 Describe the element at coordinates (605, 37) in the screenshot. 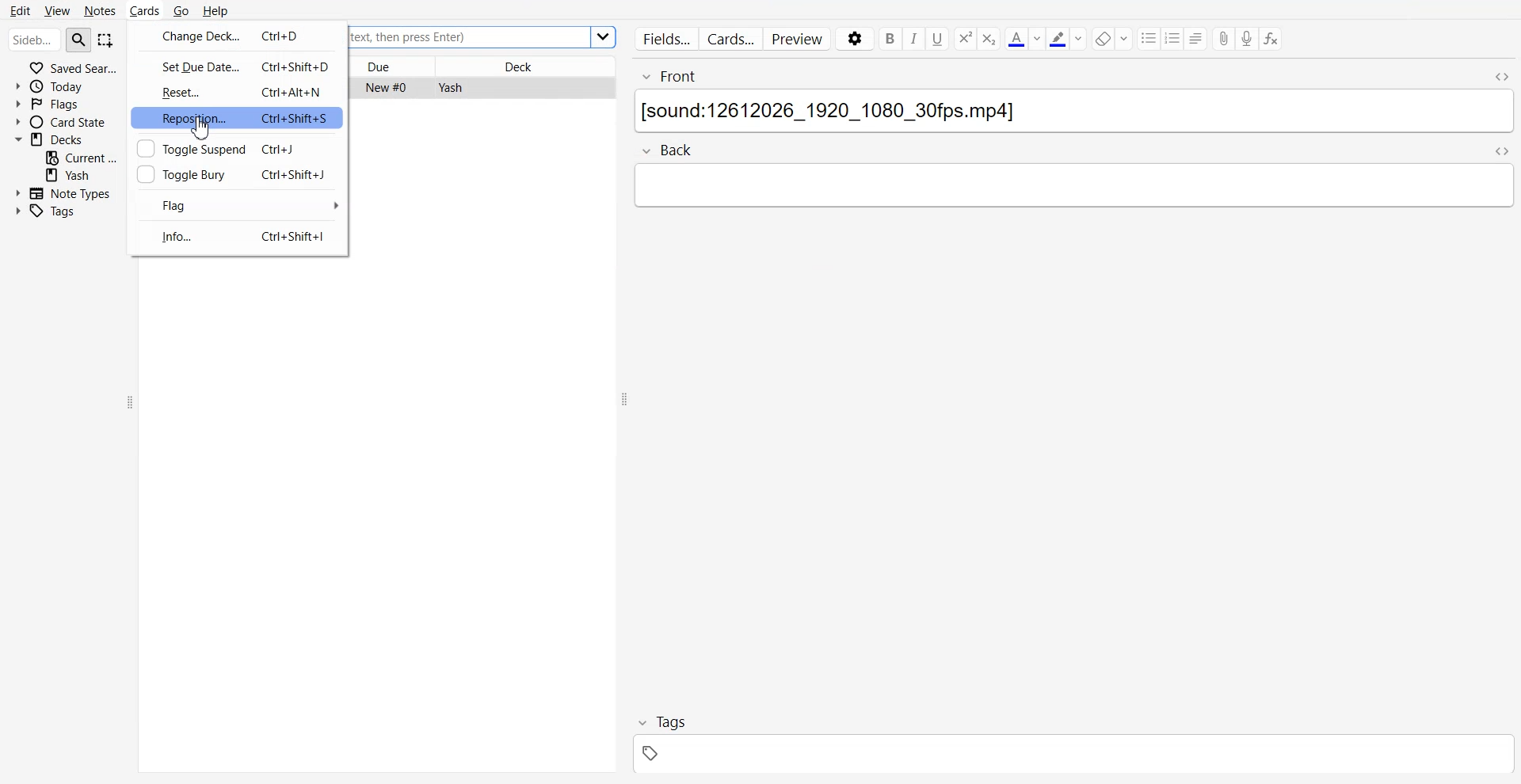

I see `` at that location.